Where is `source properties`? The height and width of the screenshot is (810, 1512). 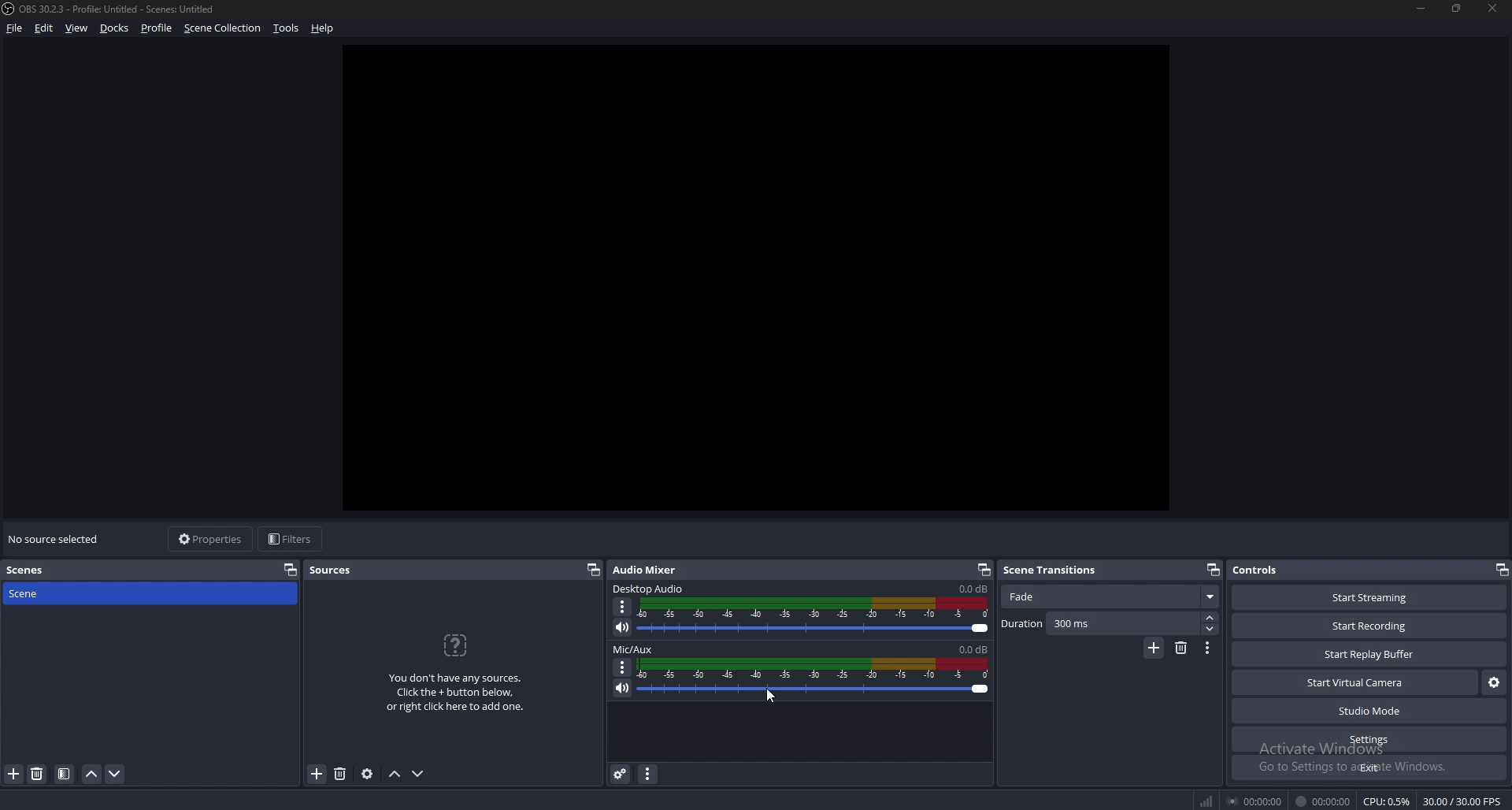
source properties is located at coordinates (367, 774).